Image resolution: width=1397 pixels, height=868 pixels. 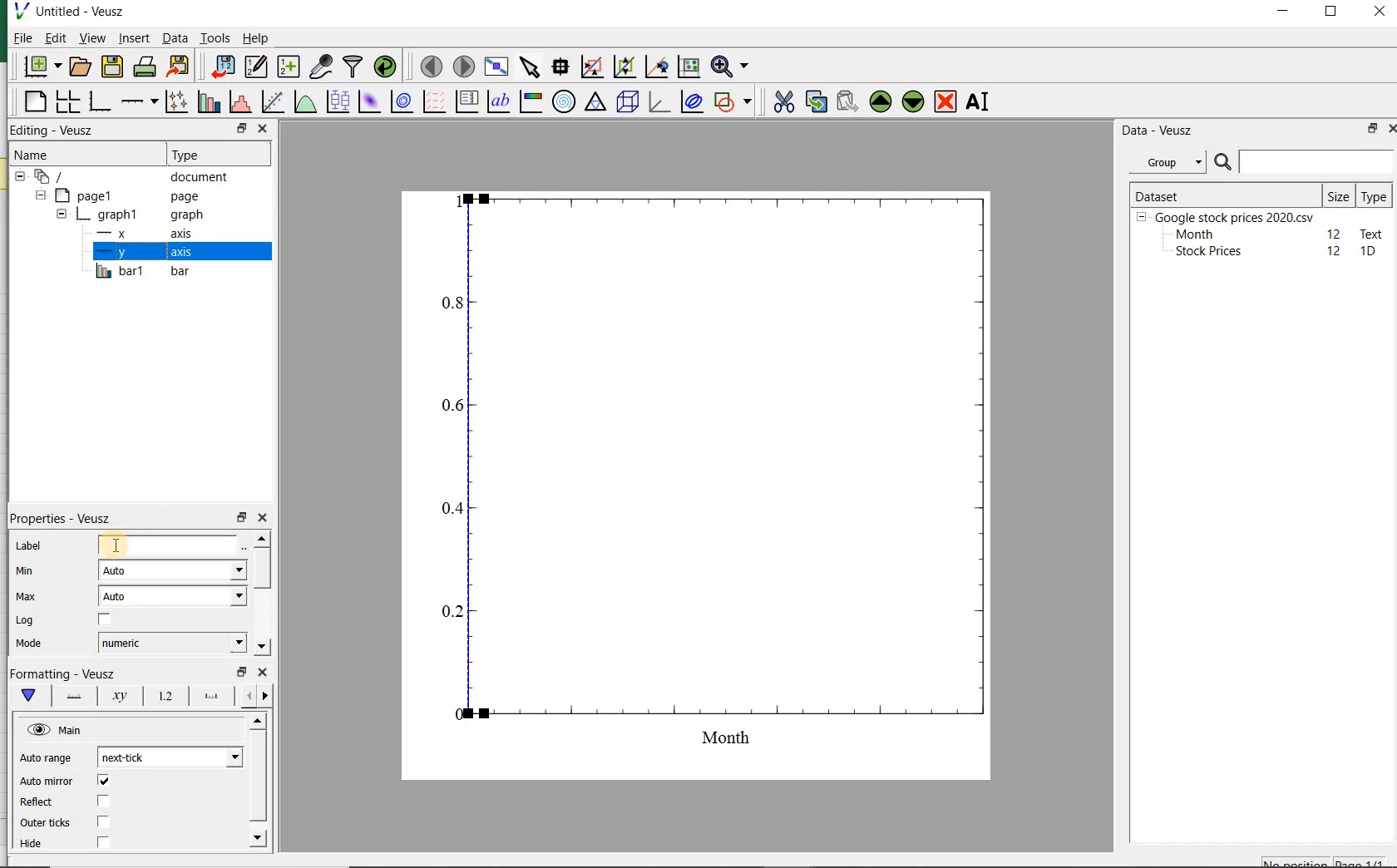 I want to click on Auto, so click(x=173, y=596).